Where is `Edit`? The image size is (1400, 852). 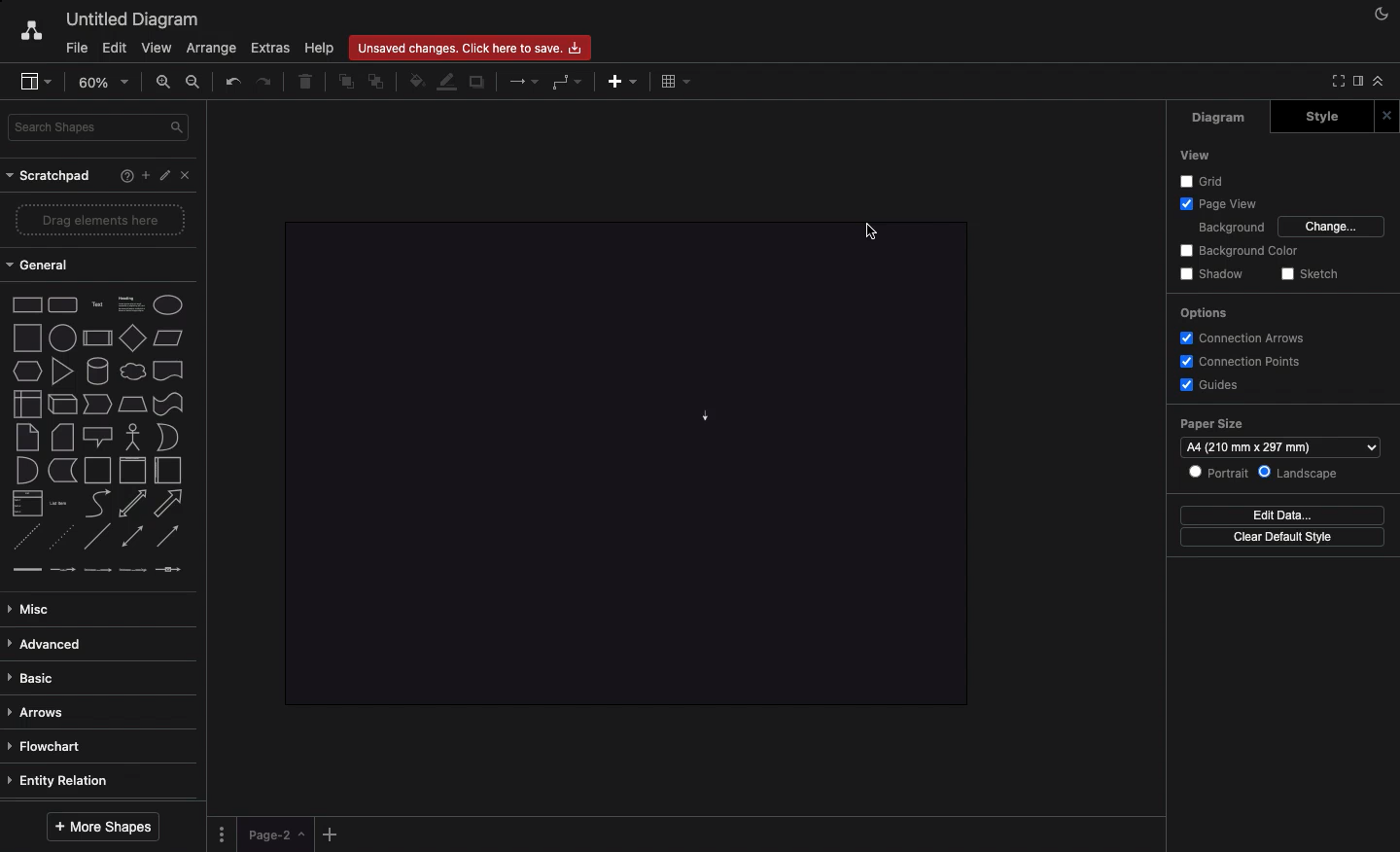
Edit is located at coordinates (115, 47).